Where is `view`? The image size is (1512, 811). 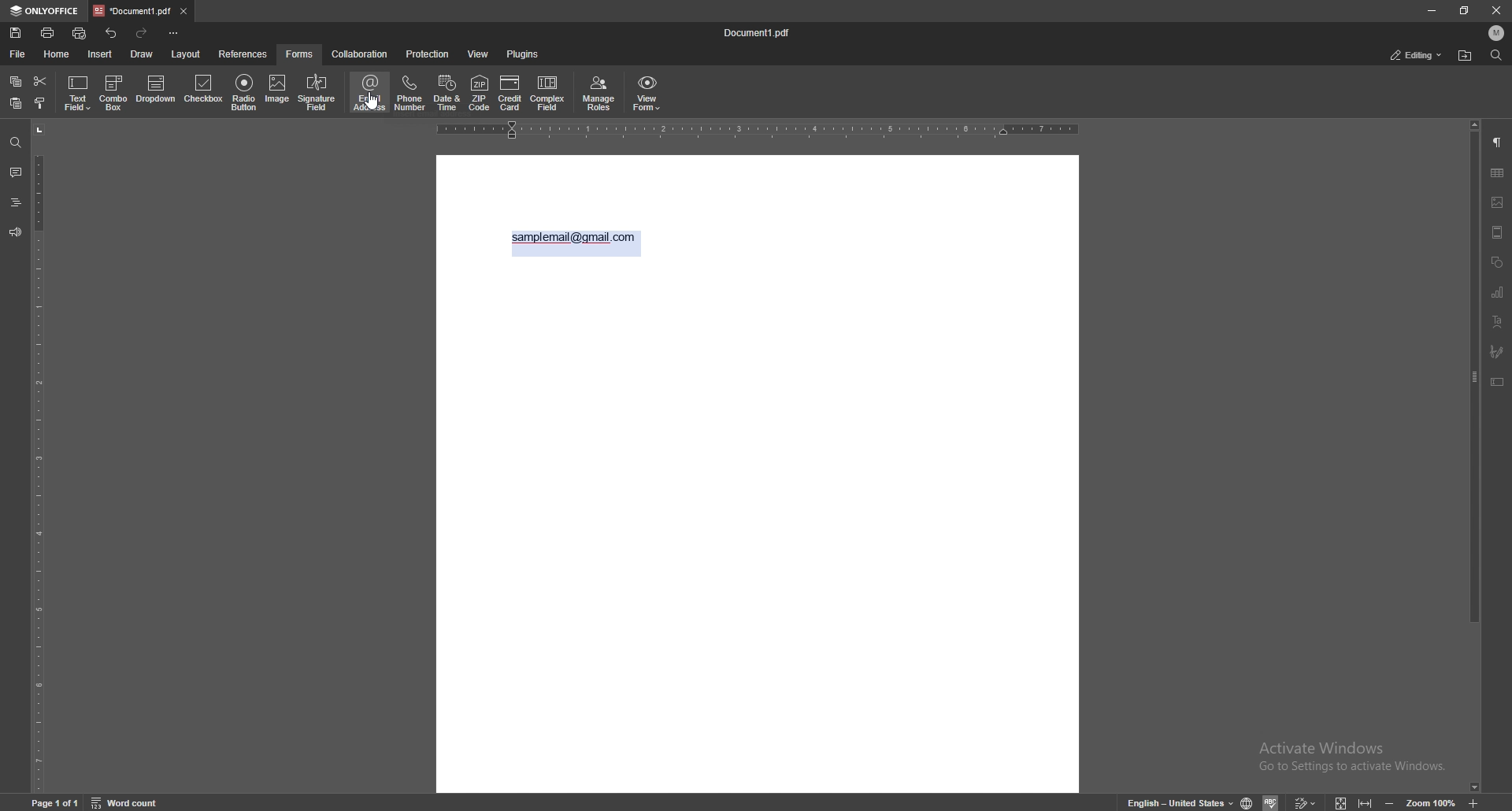 view is located at coordinates (479, 54).